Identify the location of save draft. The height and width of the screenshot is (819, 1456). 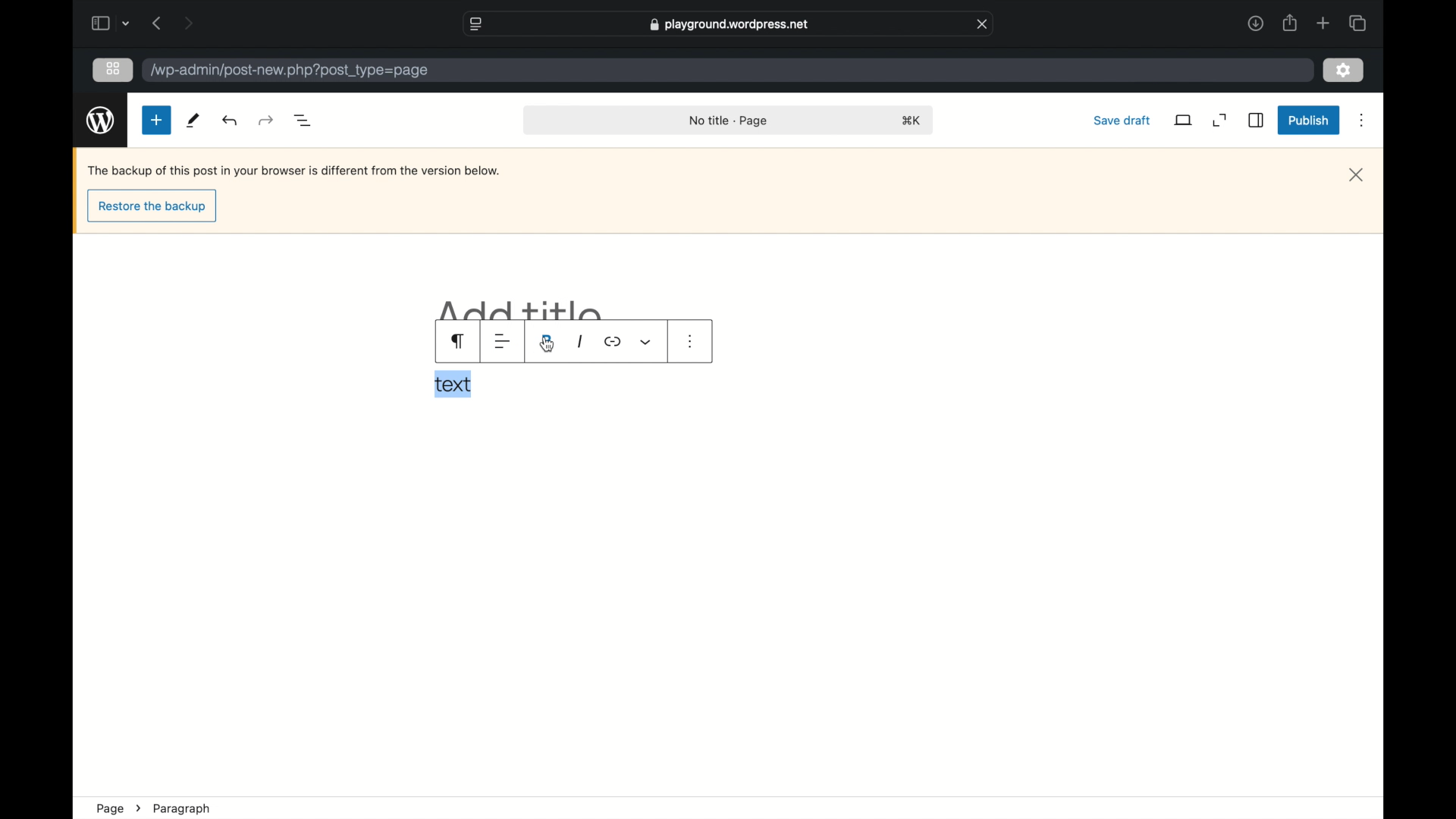
(1121, 120).